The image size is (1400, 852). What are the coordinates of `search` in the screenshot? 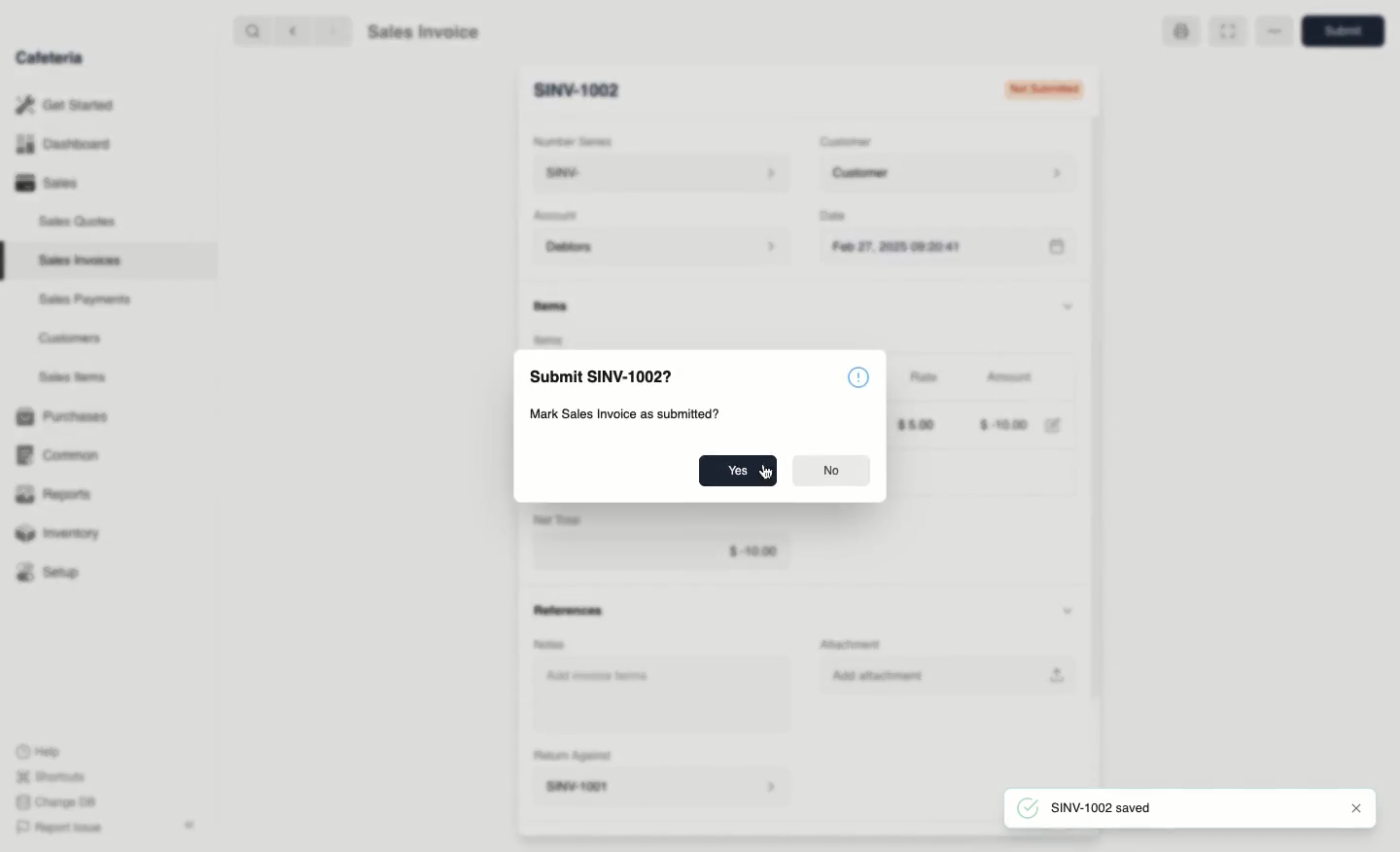 It's located at (250, 30).